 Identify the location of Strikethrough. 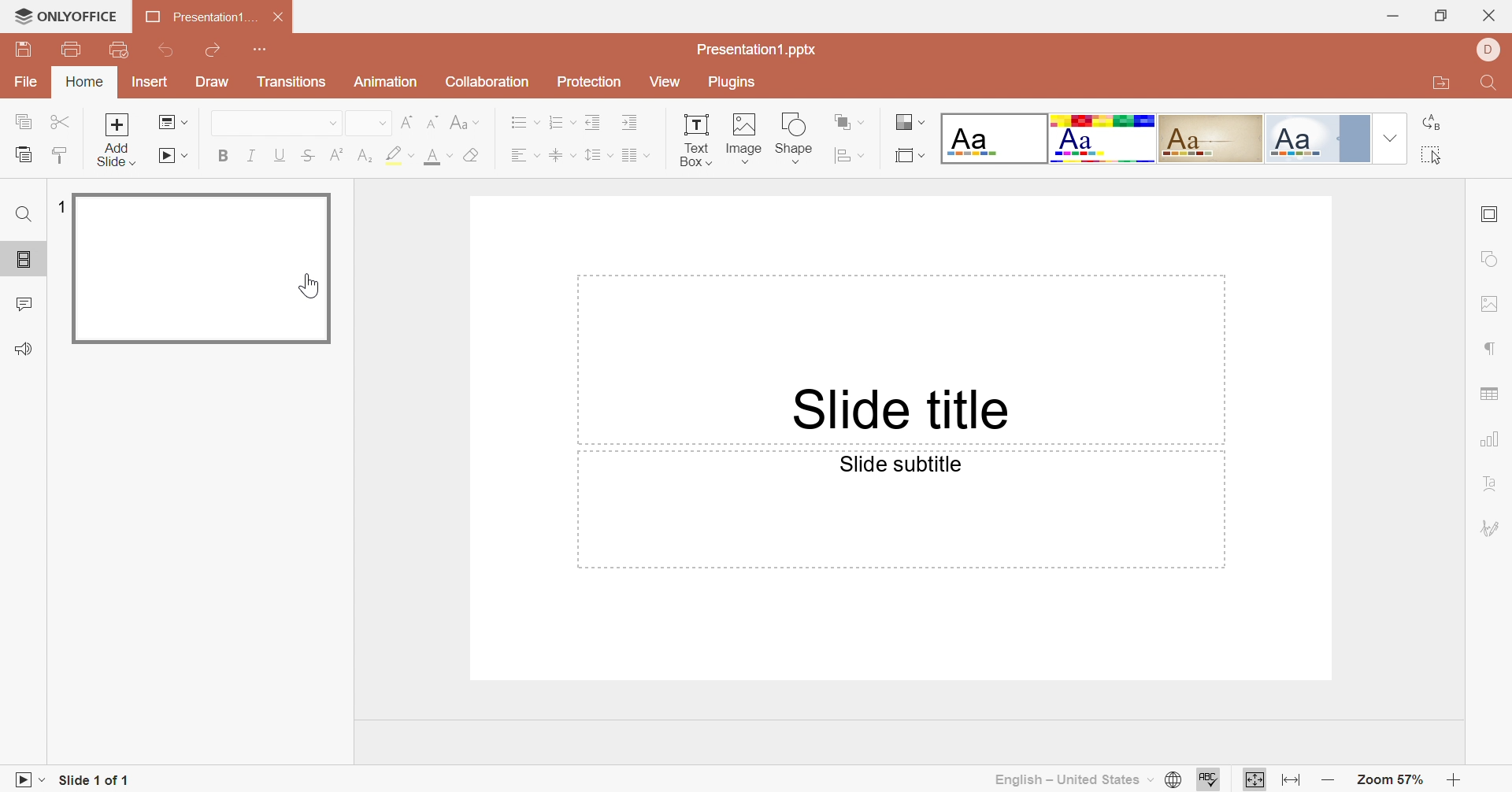
(308, 154).